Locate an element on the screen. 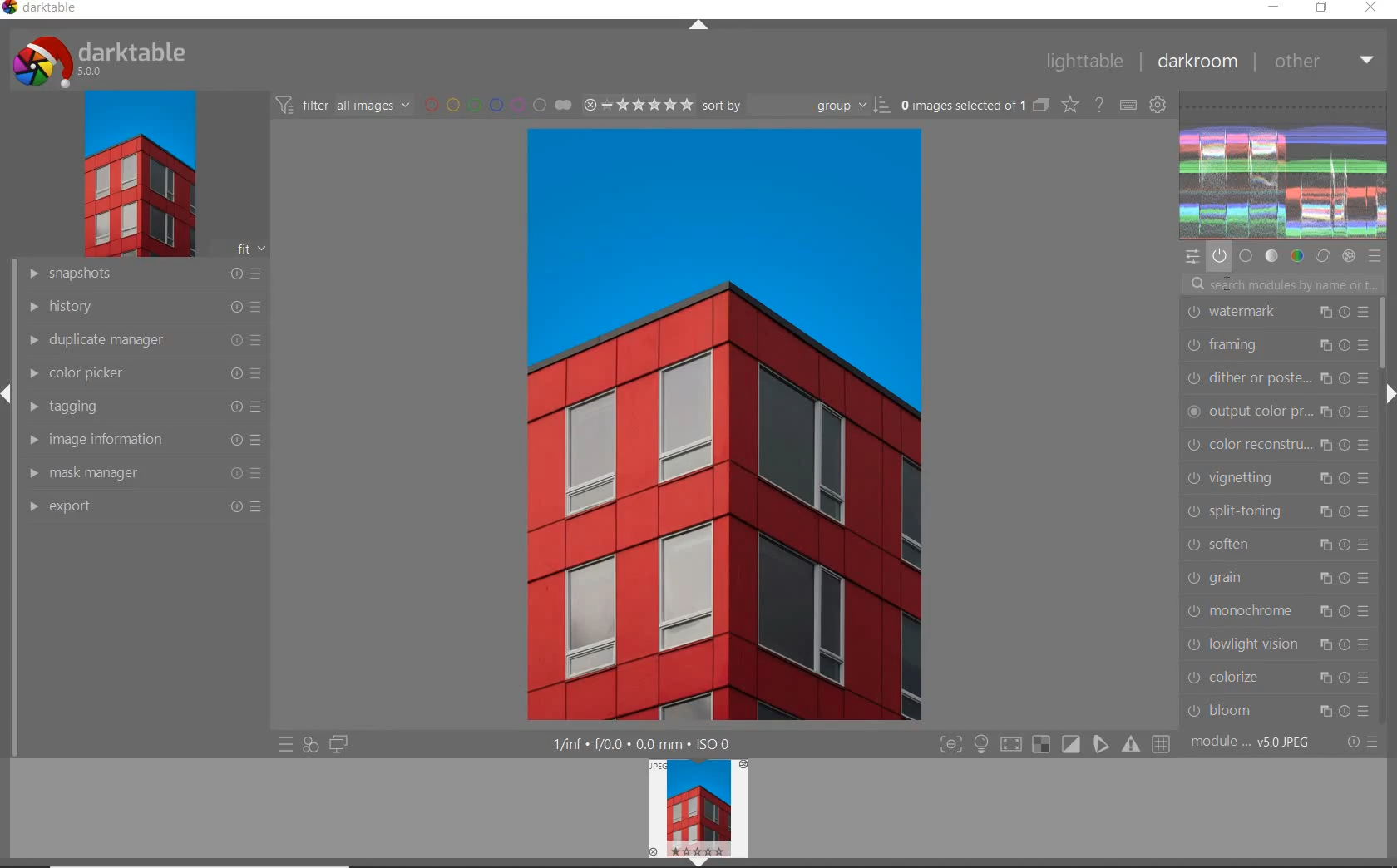 The image size is (1397, 868). collapsed grouped images is located at coordinates (1041, 103).